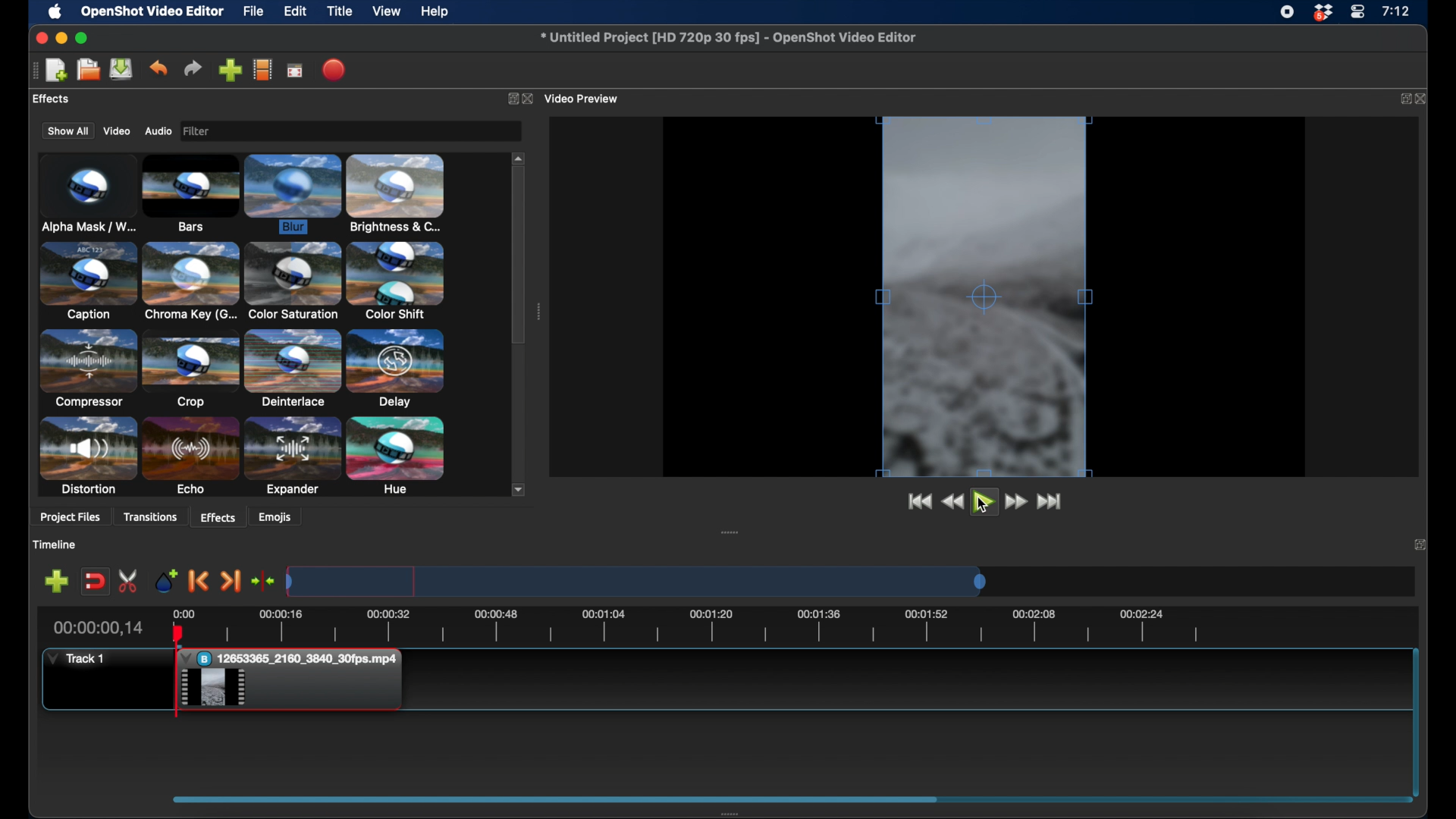 The height and width of the screenshot is (819, 1456). Describe the element at coordinates (296, 70) in the screenshot. I see `fullscreen` at that location.